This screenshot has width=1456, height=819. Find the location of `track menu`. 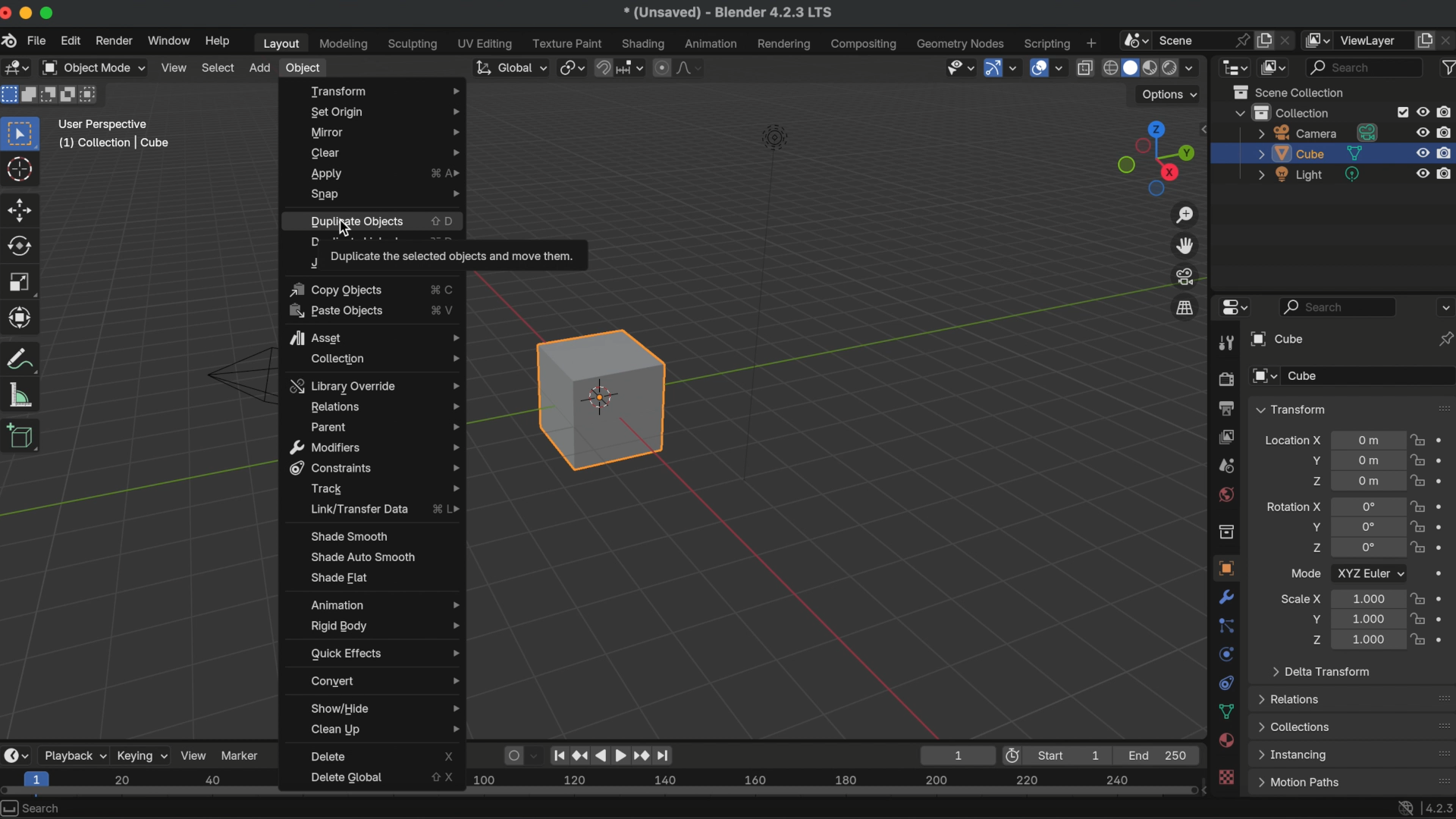

track menu is located at coordinates (381, 490).